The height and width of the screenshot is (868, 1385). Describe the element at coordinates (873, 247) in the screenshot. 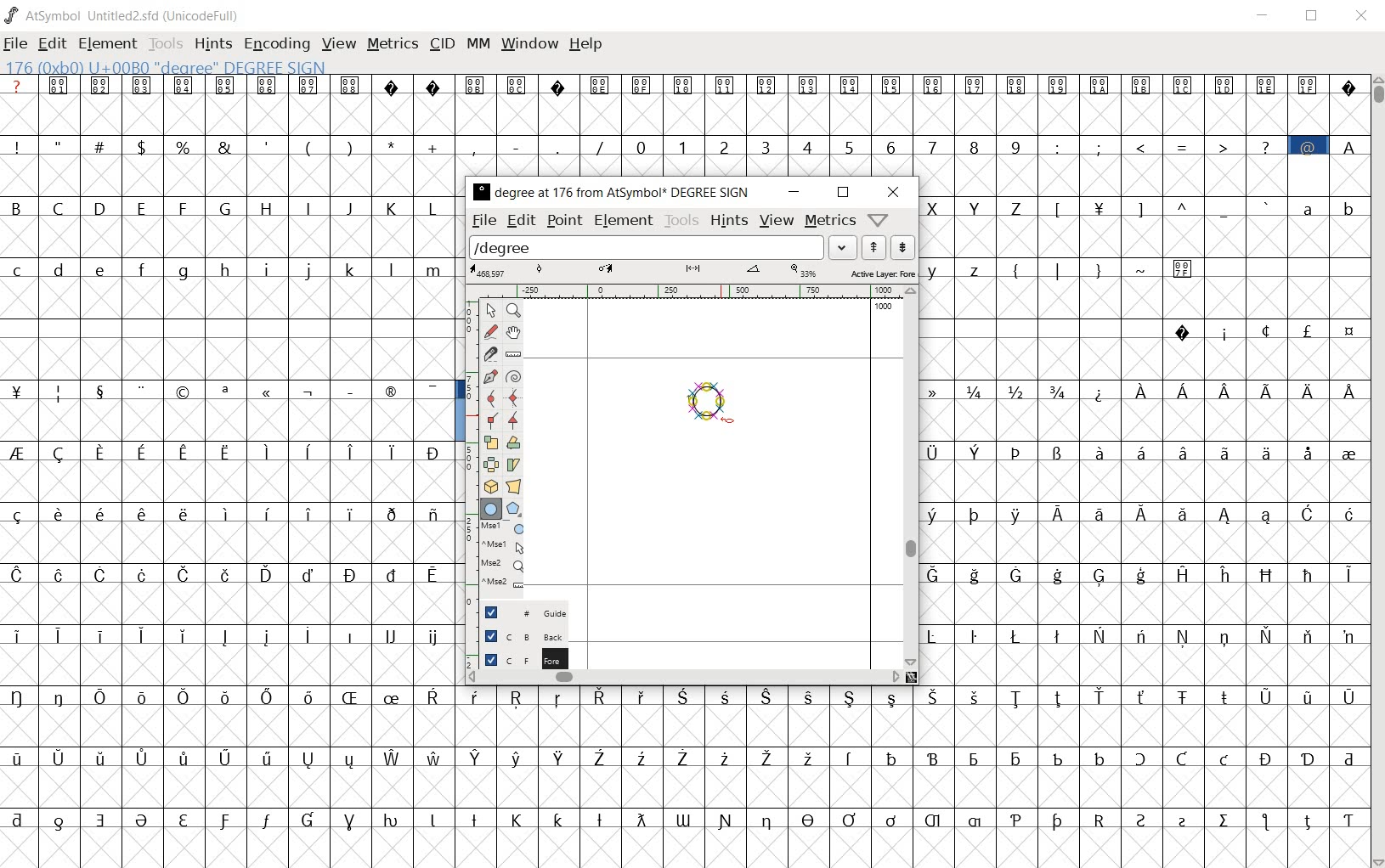

I see `show the next word on the list` at that location.